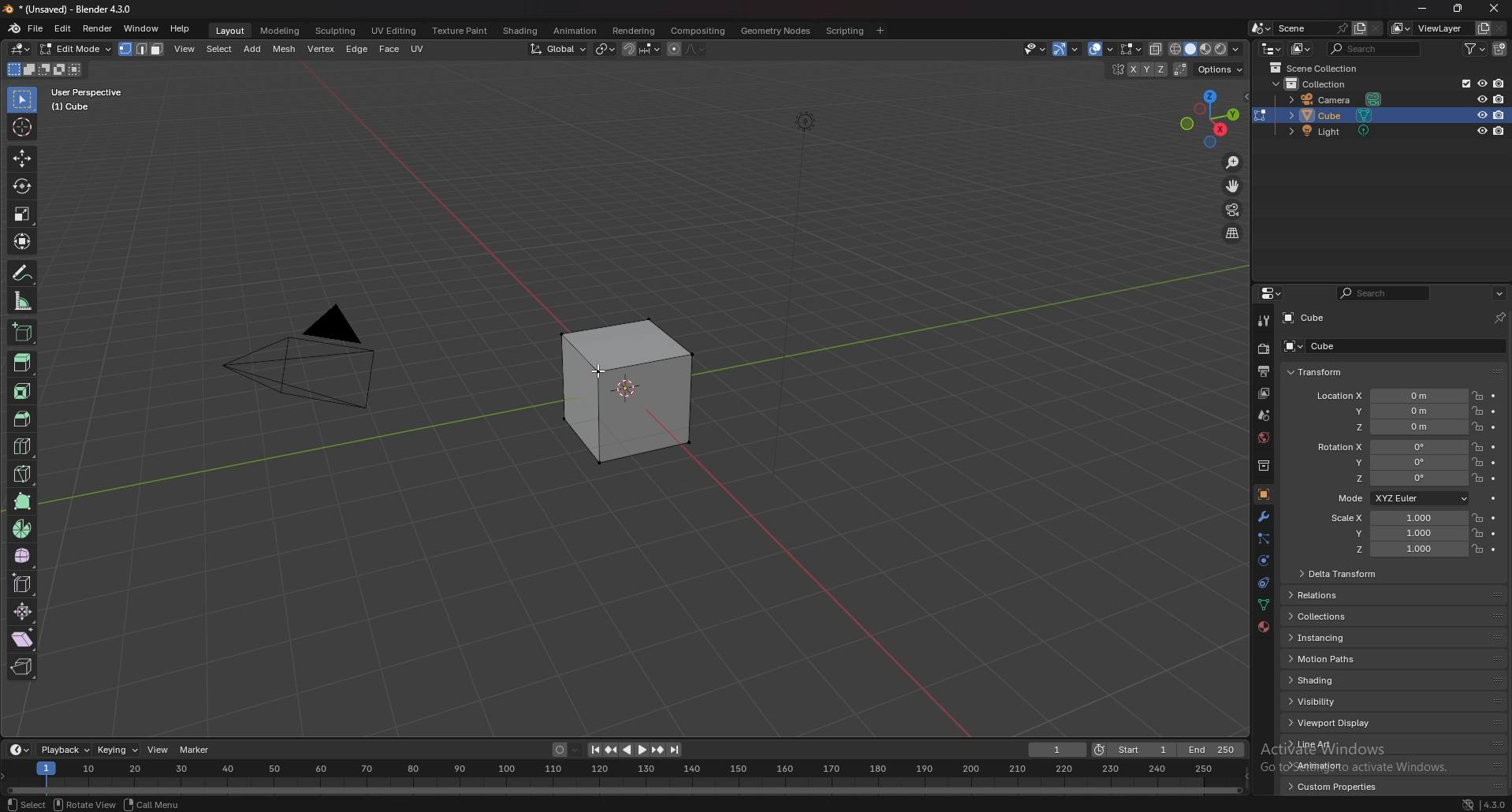 The width and height of the screenshot is (1512, 812). I want to click on animate property, so click(1494, 534).